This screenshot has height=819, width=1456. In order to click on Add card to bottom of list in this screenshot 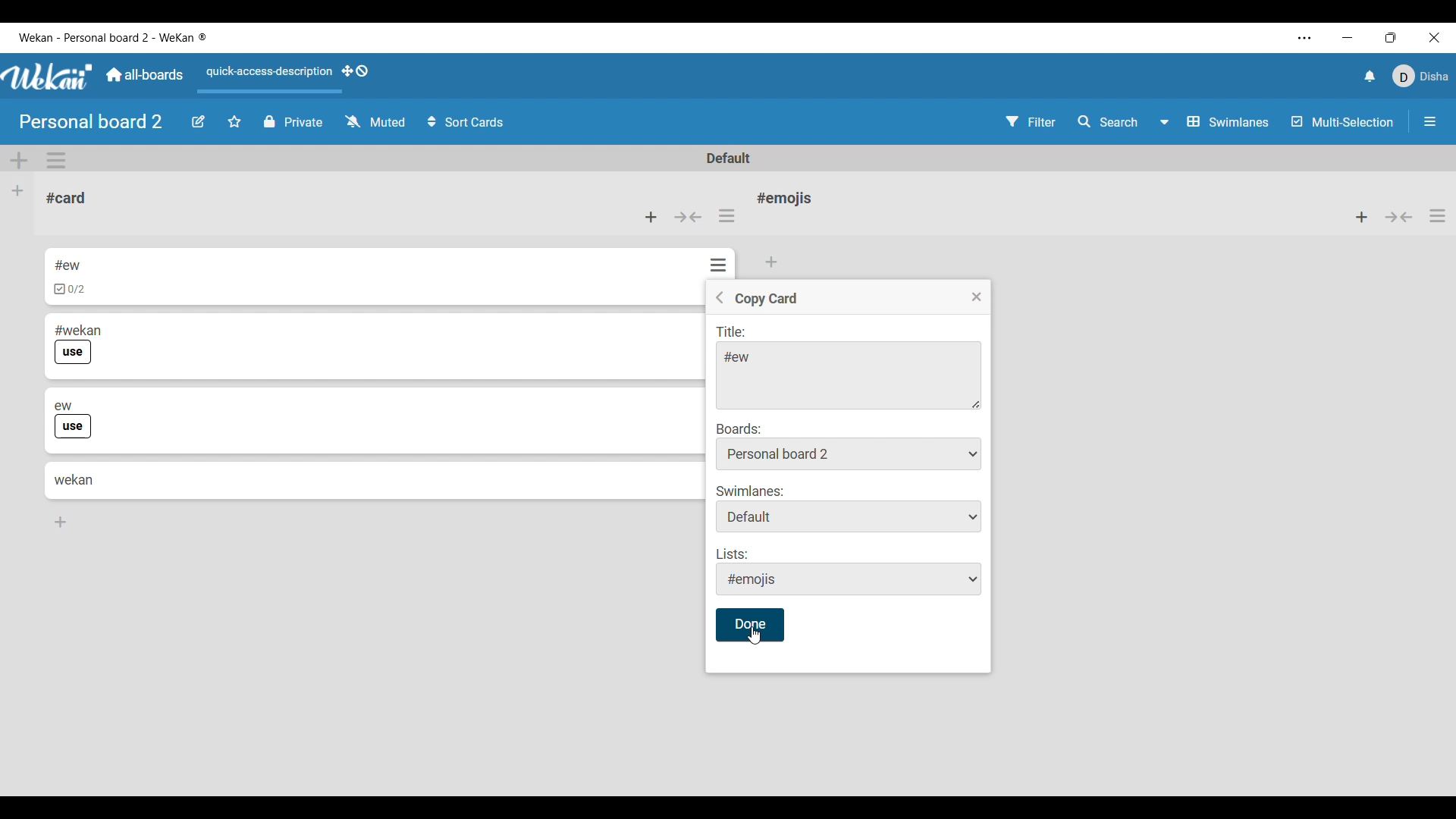, I will do `click(61, 522)`.